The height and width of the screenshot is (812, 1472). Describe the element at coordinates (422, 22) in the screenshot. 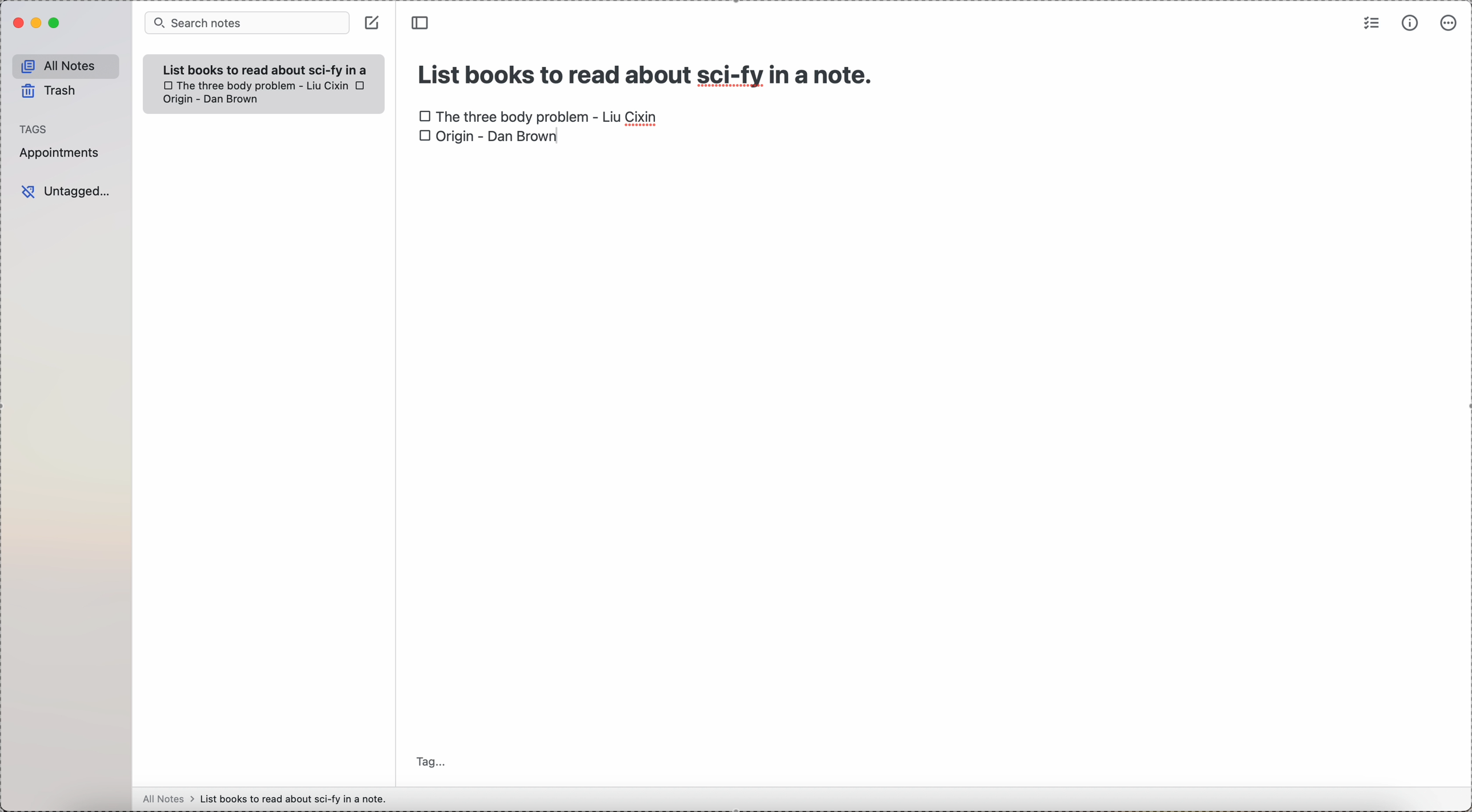

I see `toggle sidebar` at that location.